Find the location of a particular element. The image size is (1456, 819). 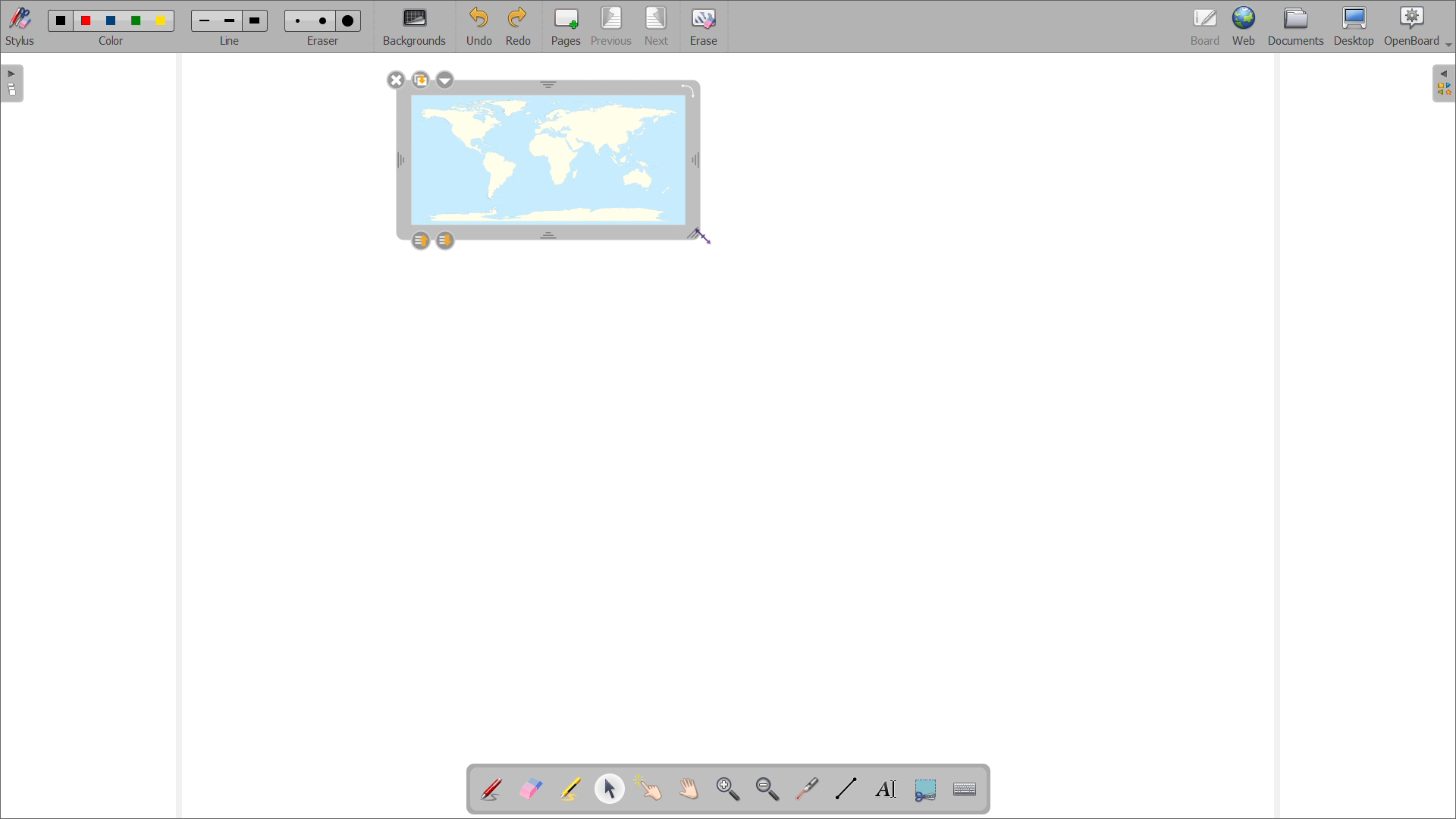

previous page is located at coordinates (611, 27).